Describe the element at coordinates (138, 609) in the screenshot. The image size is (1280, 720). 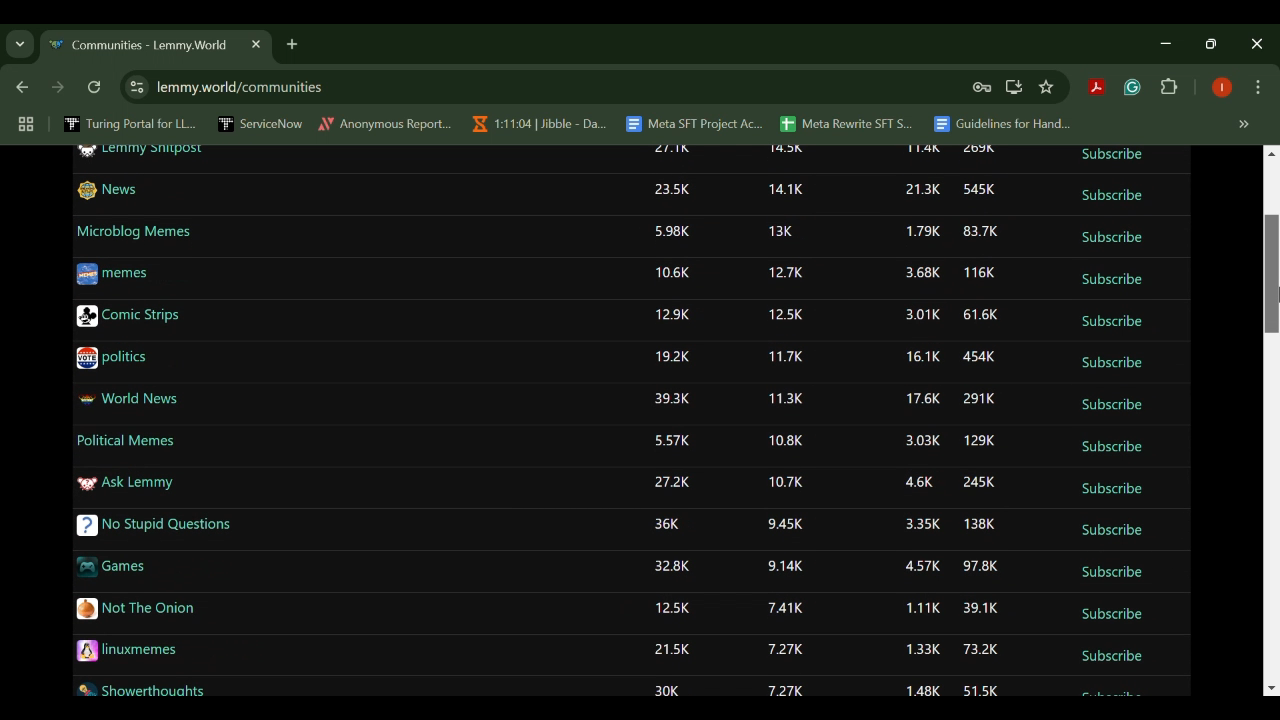
I see `Not The Onion` at that location.